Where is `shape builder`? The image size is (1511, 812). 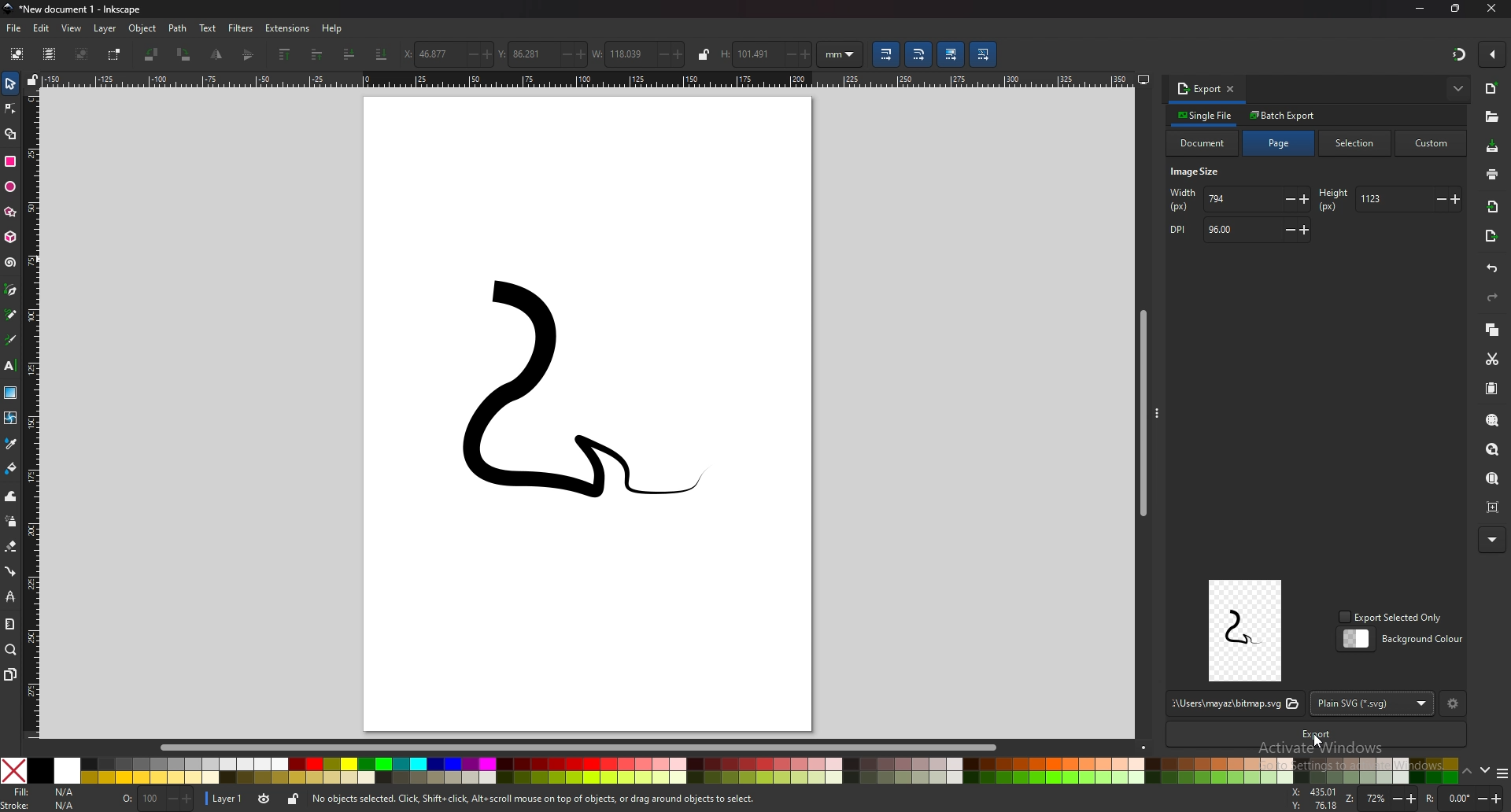
shape builder is located at coordinates (10, 133).